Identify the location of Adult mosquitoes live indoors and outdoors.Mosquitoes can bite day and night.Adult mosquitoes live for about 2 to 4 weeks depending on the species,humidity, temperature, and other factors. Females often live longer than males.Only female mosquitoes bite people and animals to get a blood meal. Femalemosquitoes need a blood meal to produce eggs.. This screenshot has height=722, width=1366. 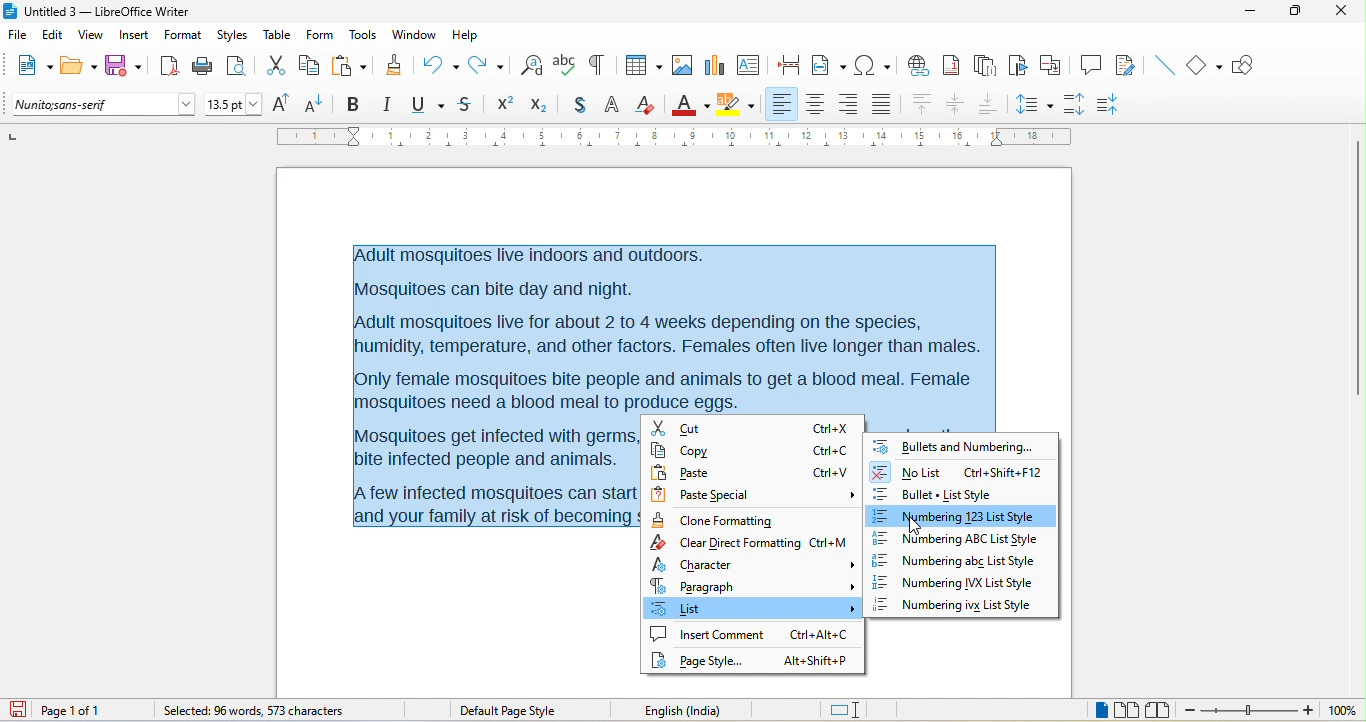
(670, 326).